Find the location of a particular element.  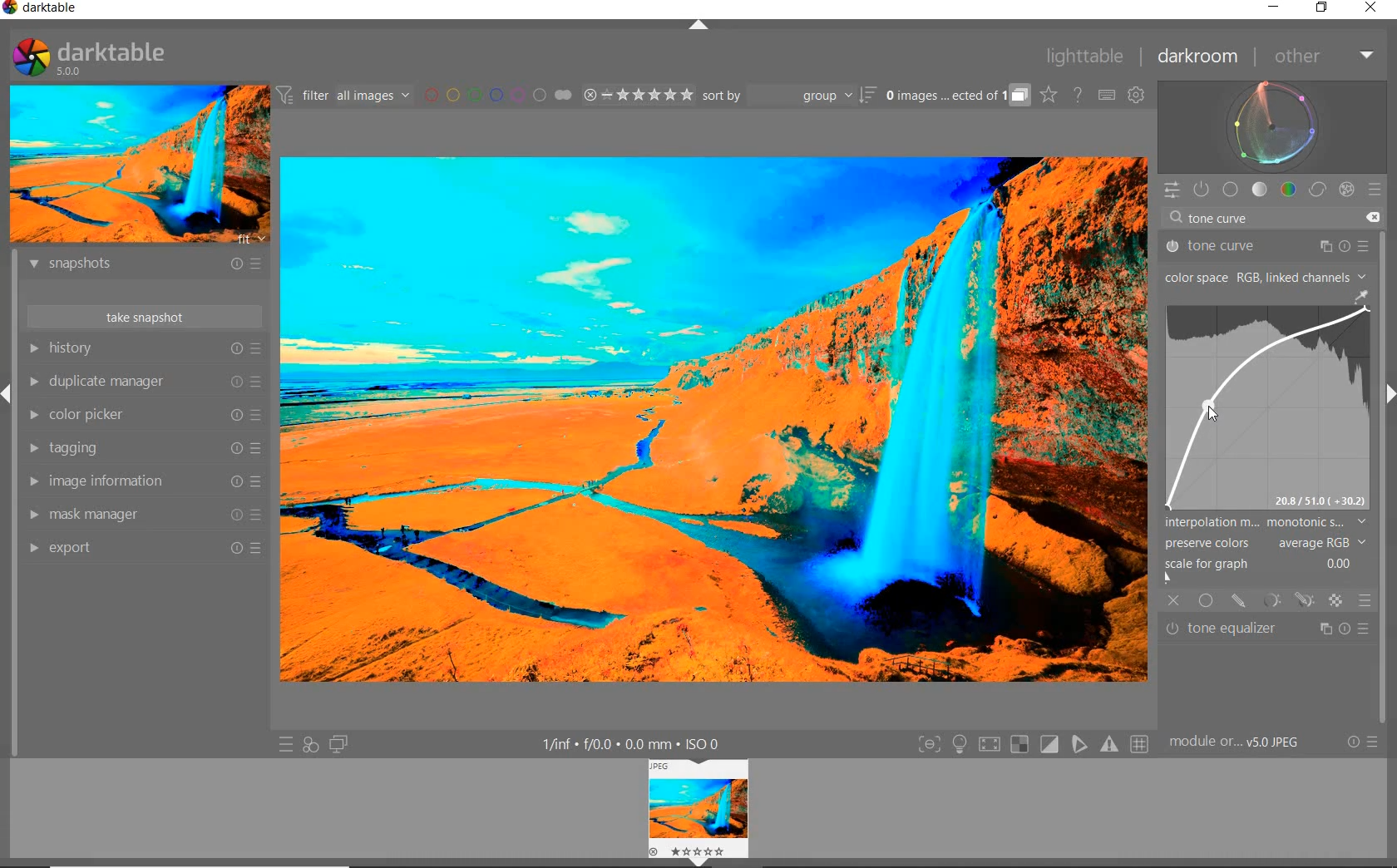

SET KEYBOARD SHORTCUTS is located at coordinates (1108, 96).